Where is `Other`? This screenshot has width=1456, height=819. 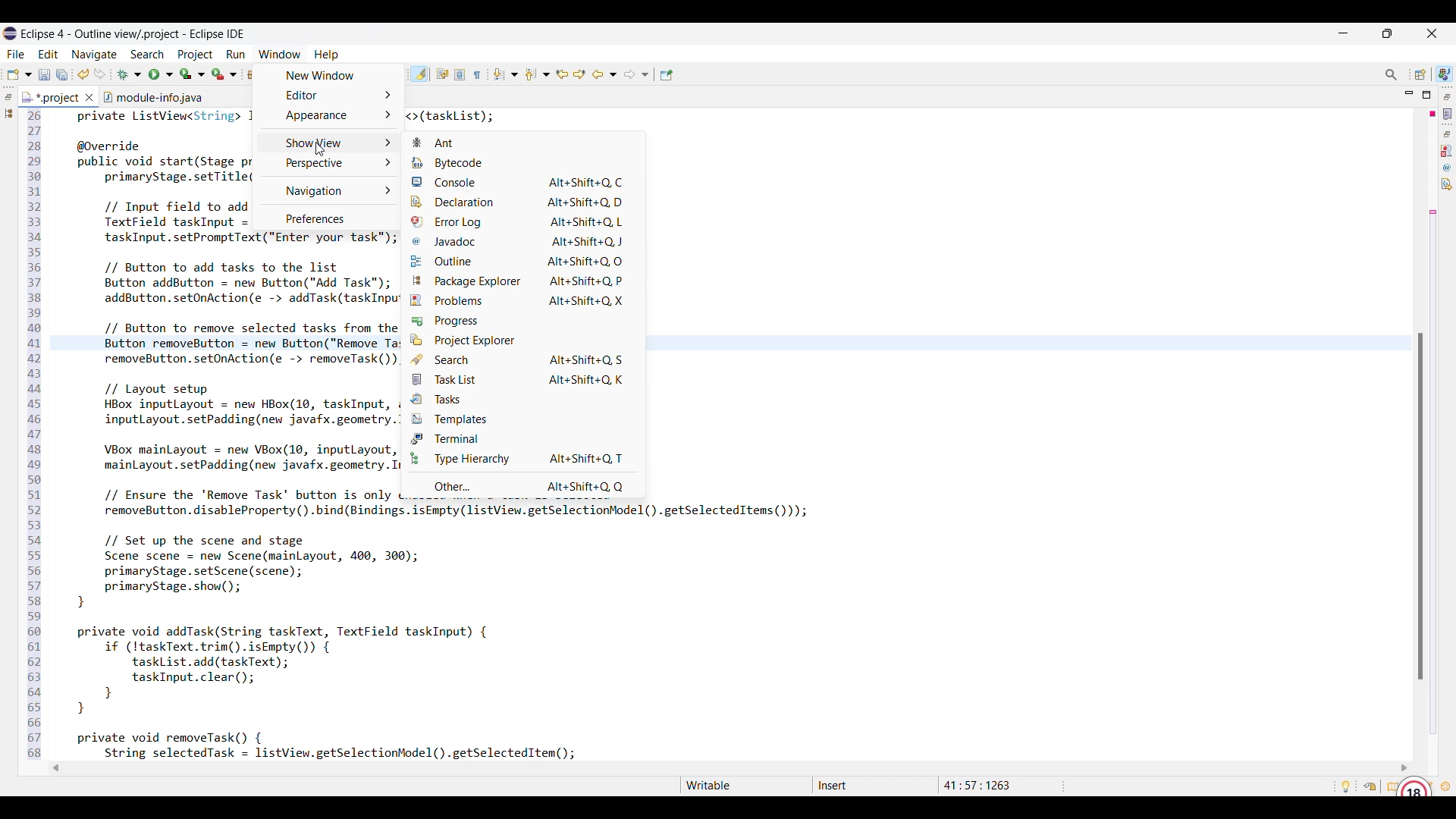 Other is located at coordinates (524, 485).